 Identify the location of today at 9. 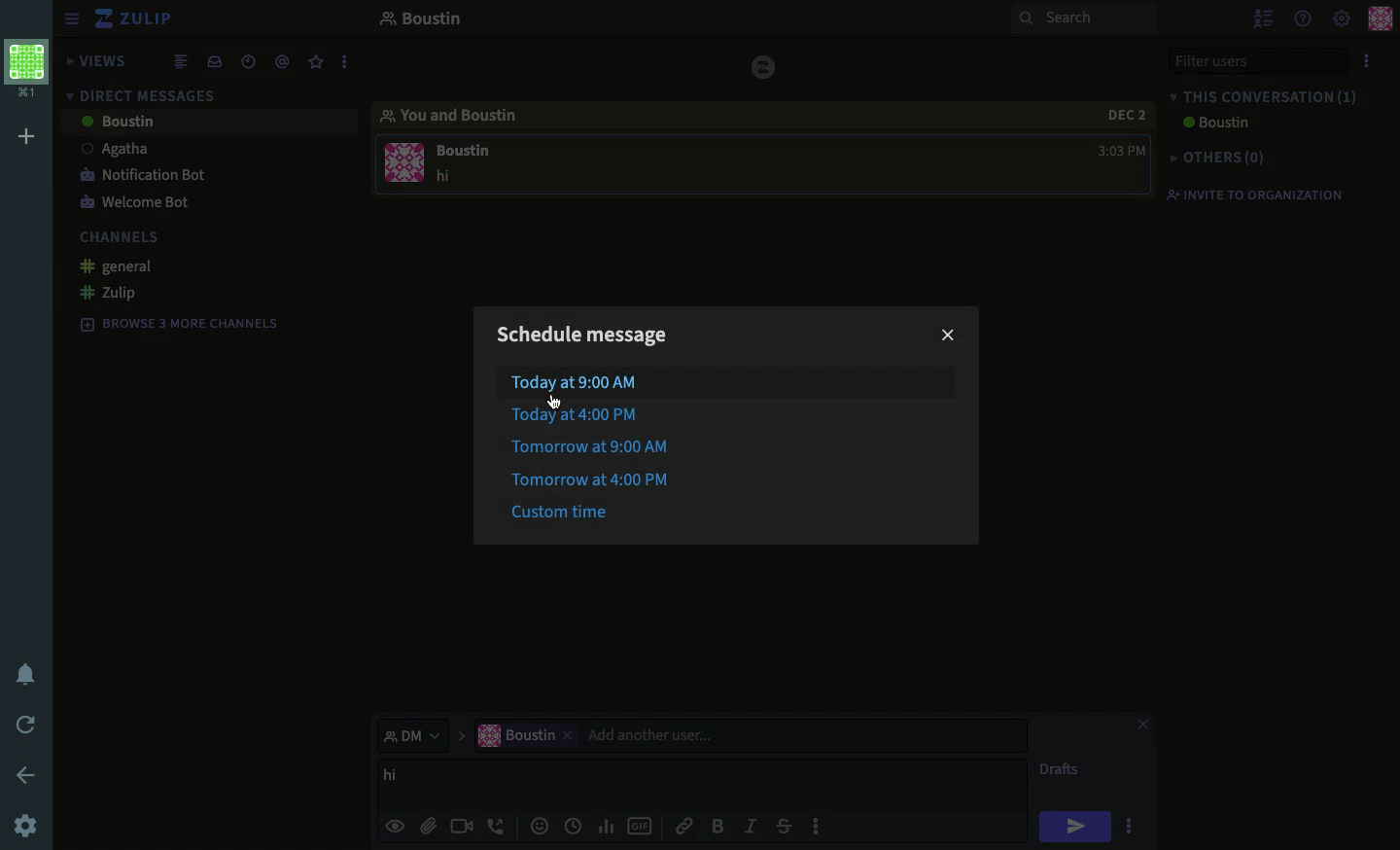
(577, 384).